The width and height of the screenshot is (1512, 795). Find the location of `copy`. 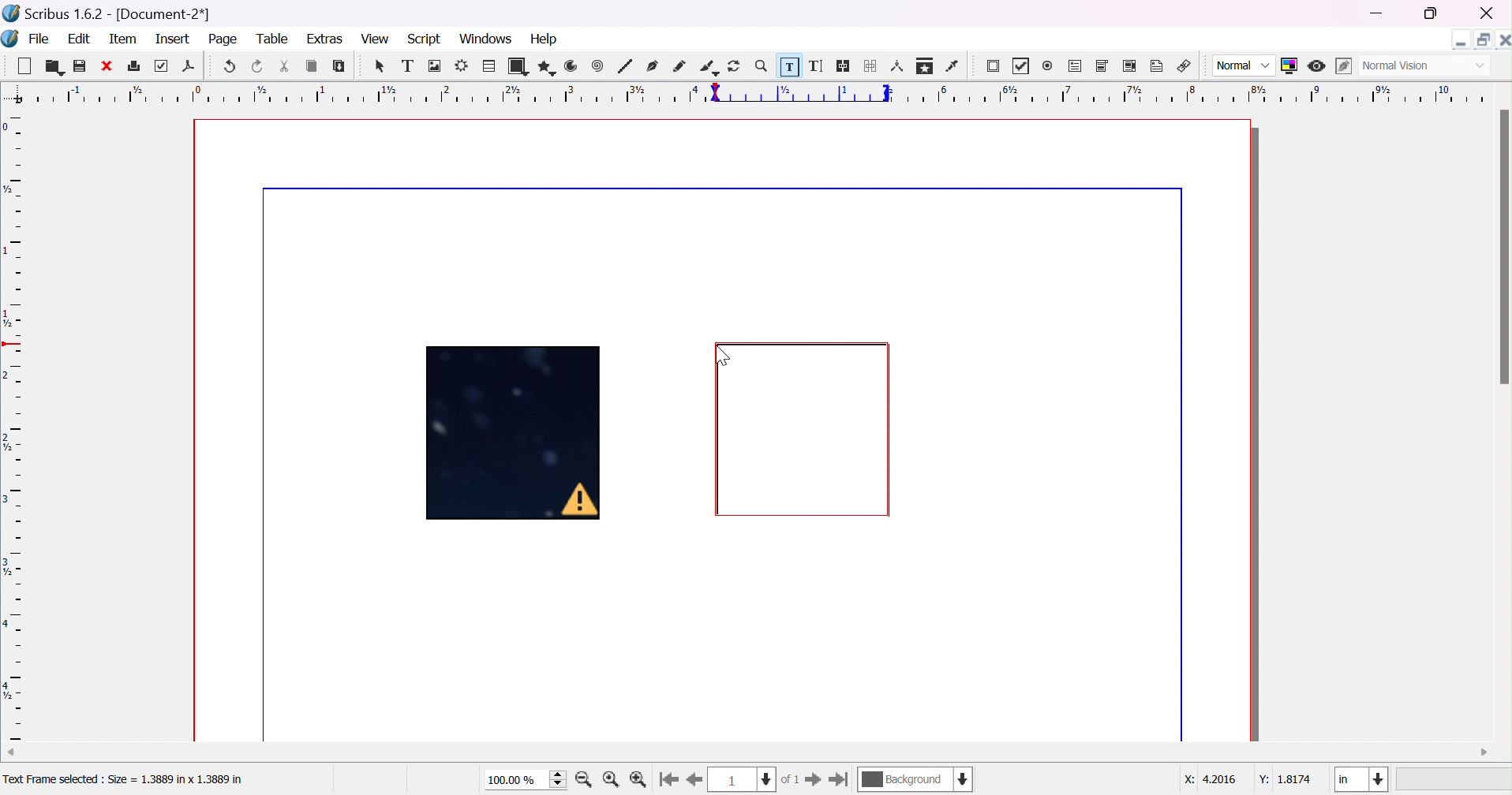

copy is located at coordinates (312, 66).